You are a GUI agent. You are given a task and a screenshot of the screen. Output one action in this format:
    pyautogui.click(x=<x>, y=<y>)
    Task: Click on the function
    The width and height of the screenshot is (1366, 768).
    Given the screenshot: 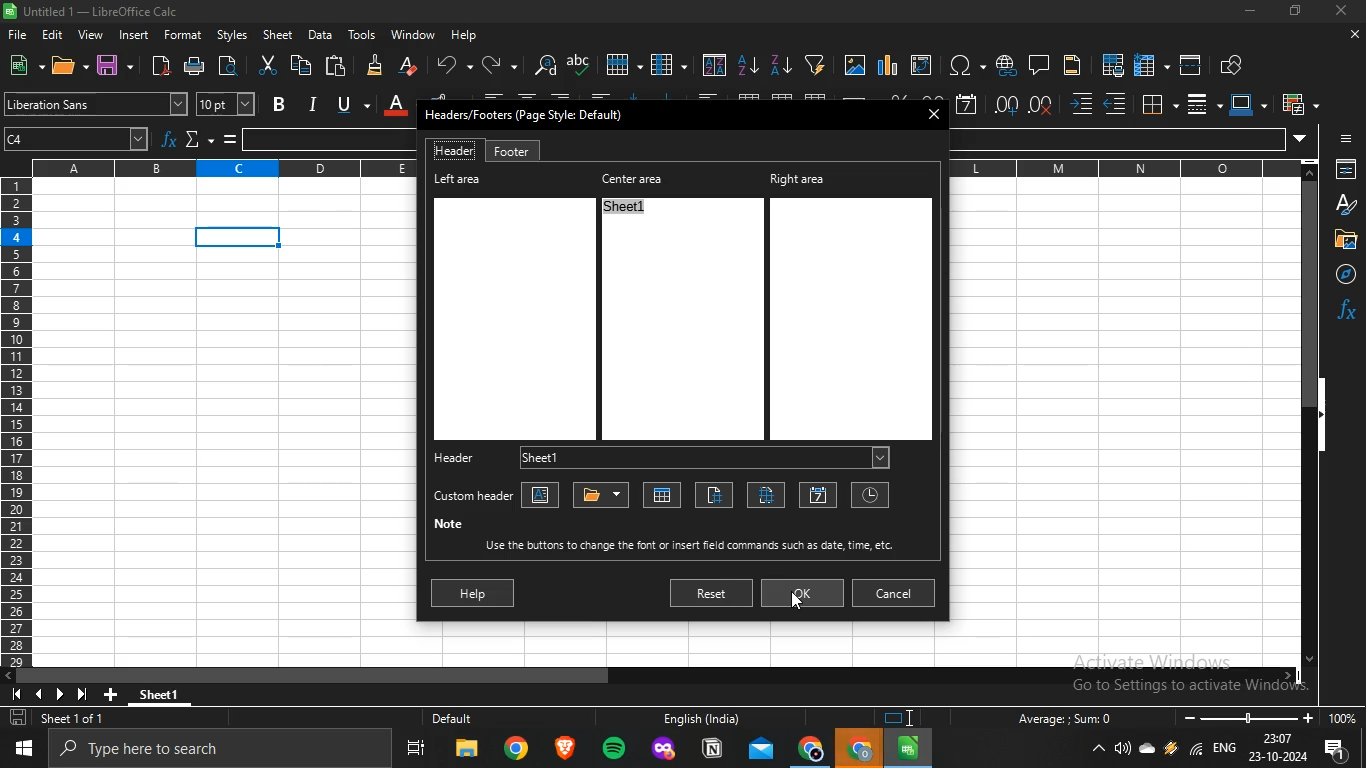 What is the action you would take?
    pyautogui.click(x=1346, y=309)
    